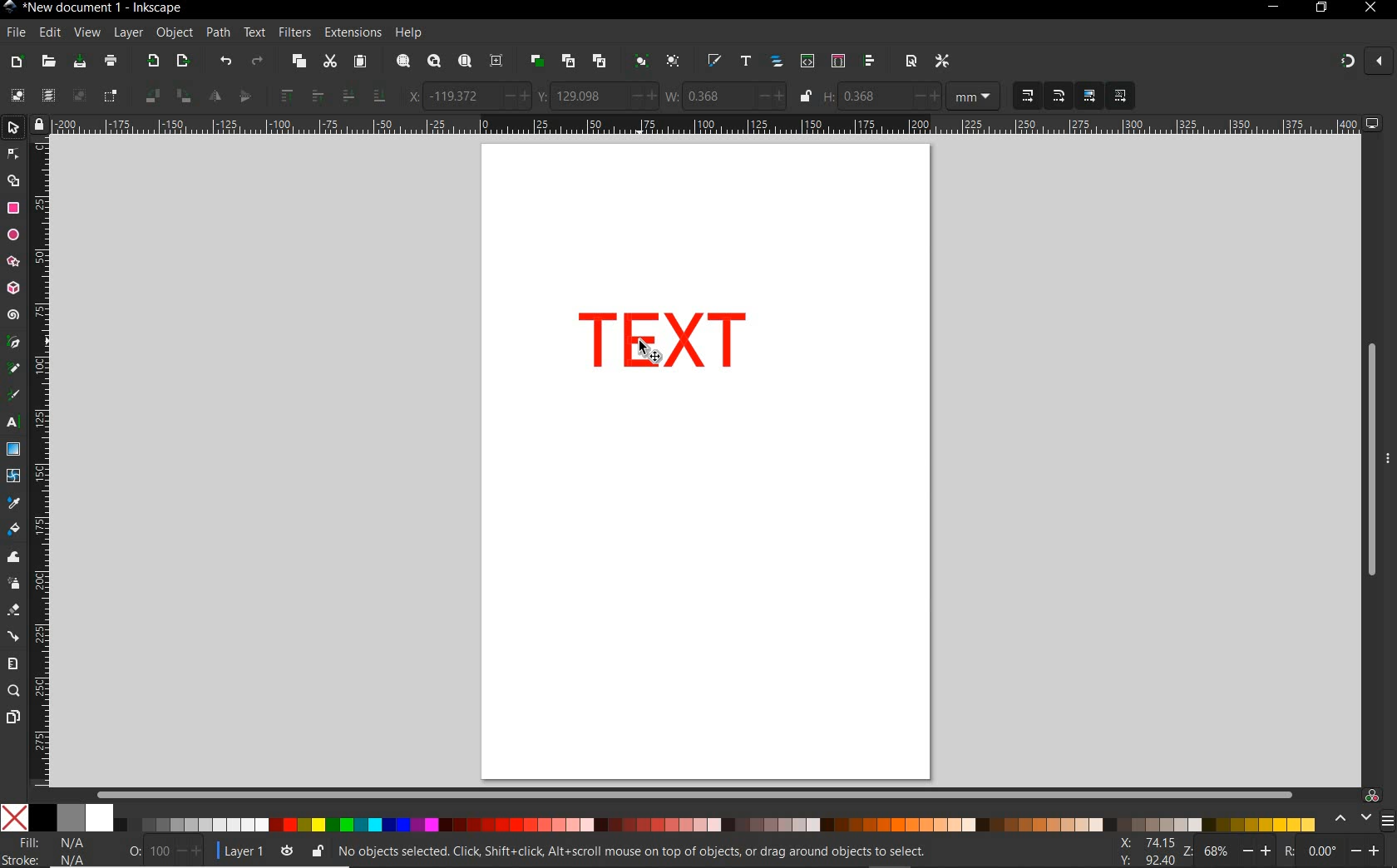 The height and width of the screenshot is (868, 1397). What do you see at coordinates (17, 95) in the screenshot?
I see `SELECT ALL` at bounding box center [17, 95].